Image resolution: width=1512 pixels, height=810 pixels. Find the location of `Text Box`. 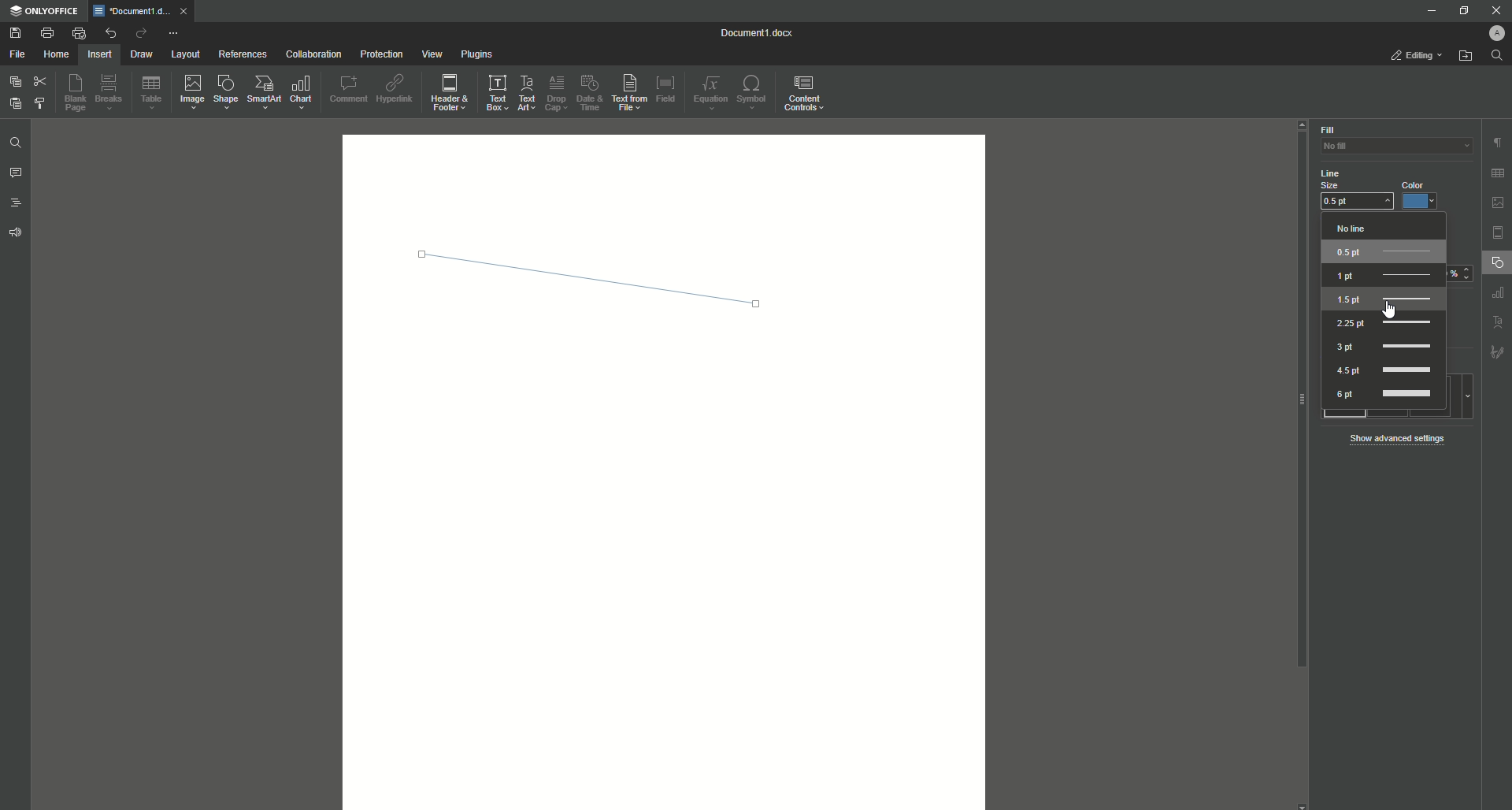

Text Box is located at coordinates (496, 92).